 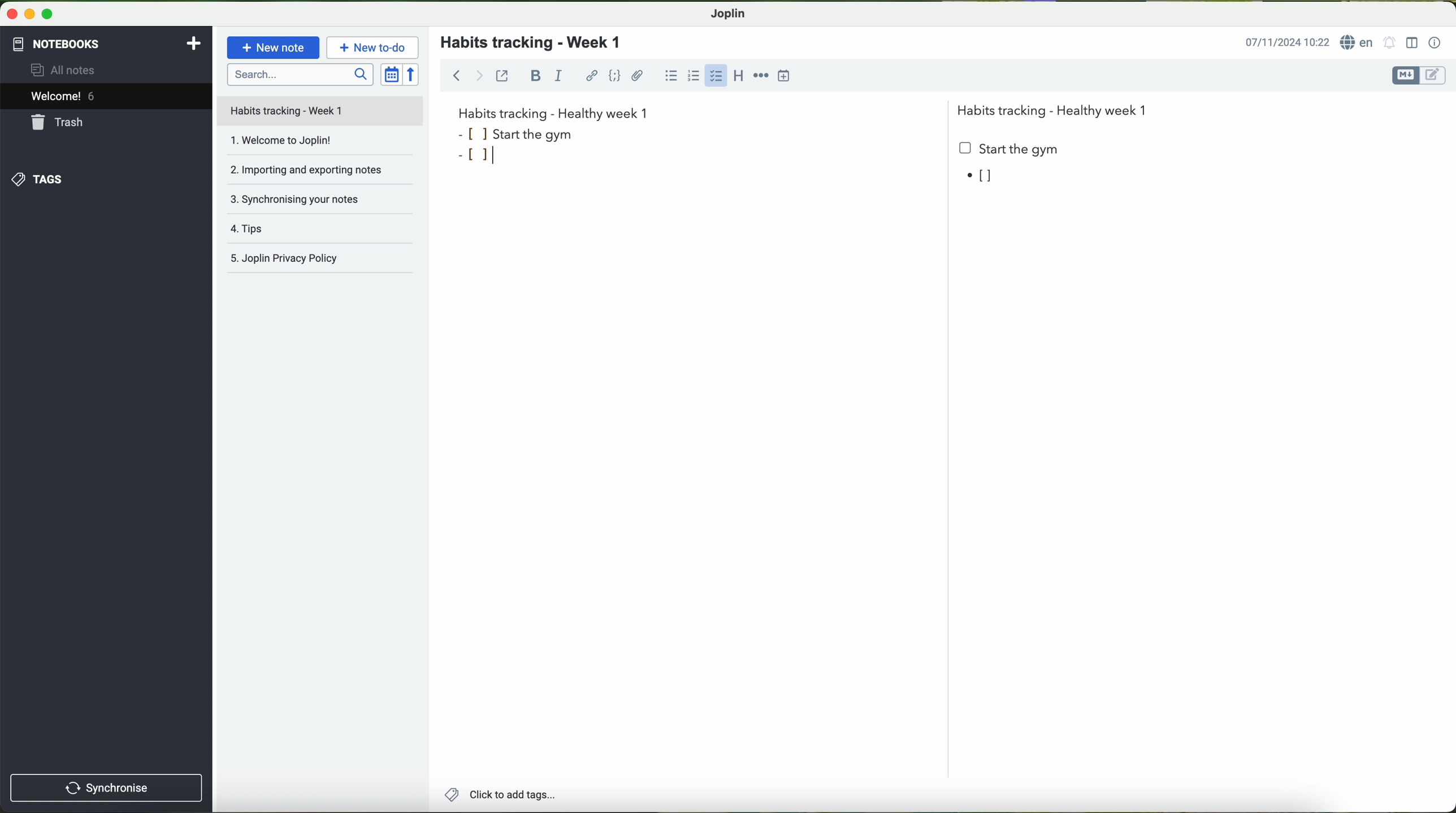 I want to click on minimize, so click(x=27, y=13).